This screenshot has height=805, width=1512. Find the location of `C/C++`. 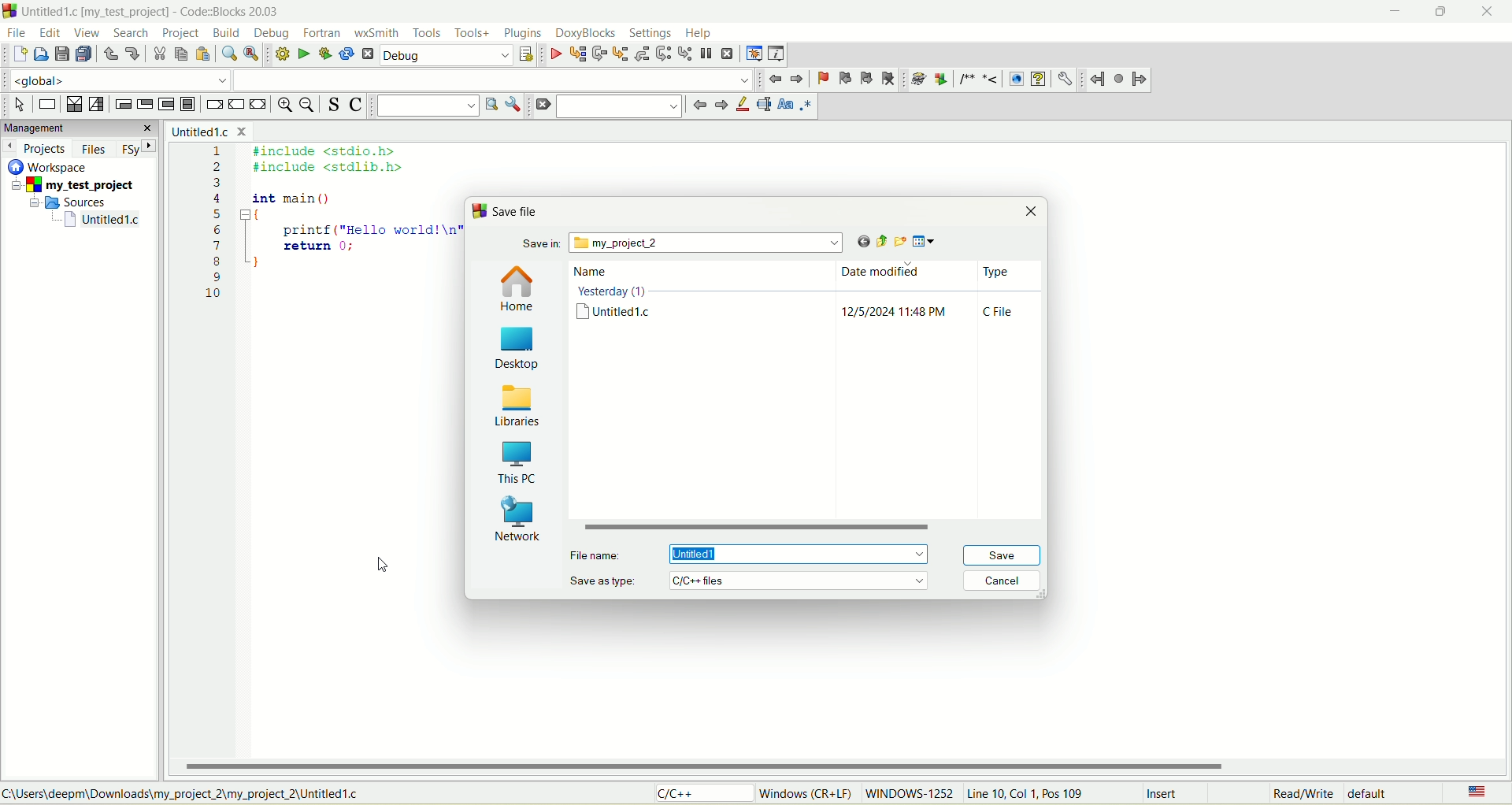

C/C++ is located at coordinates (706, 794).